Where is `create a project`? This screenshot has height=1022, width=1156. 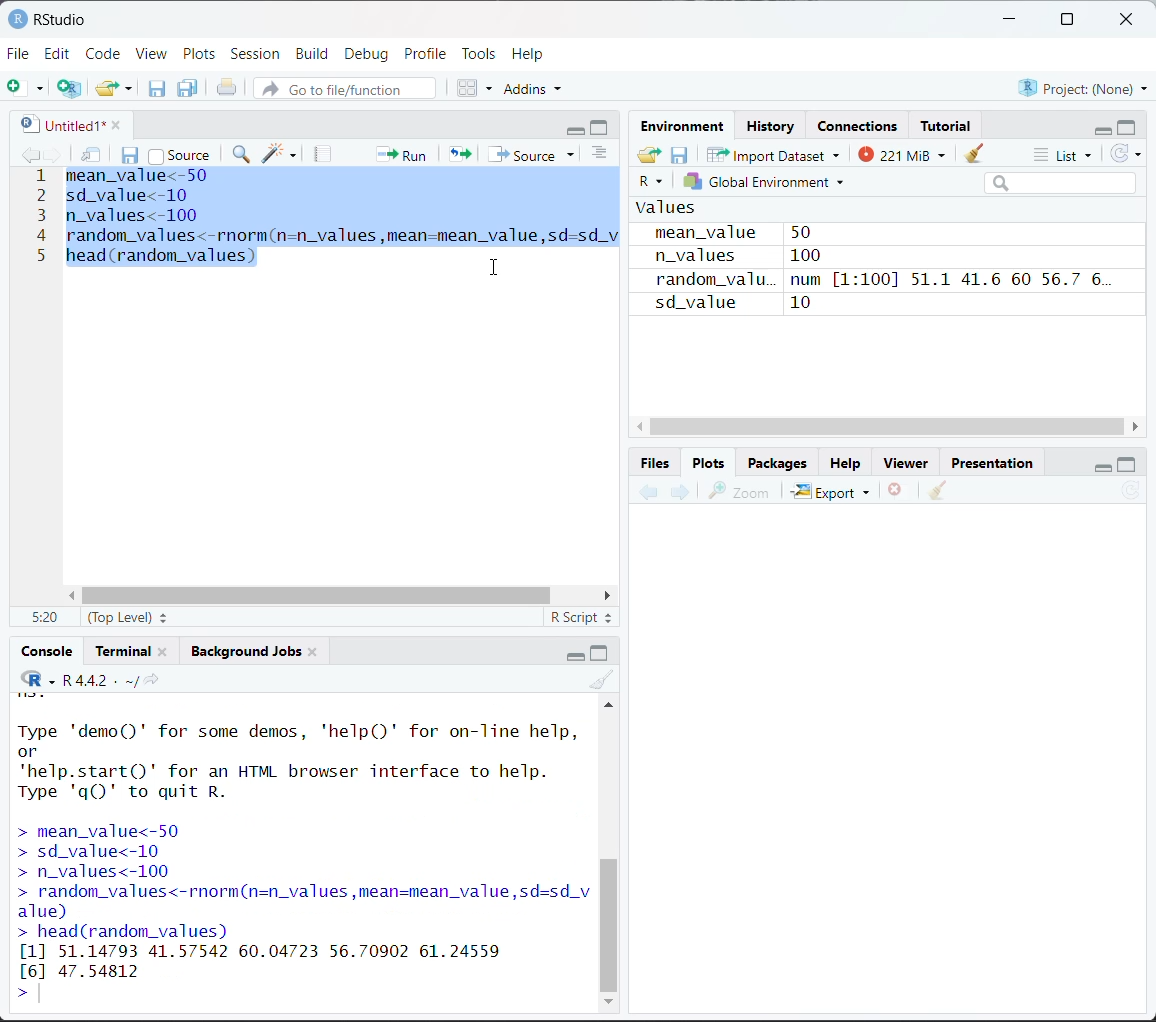 create a project is located at coordinates (69, 88).